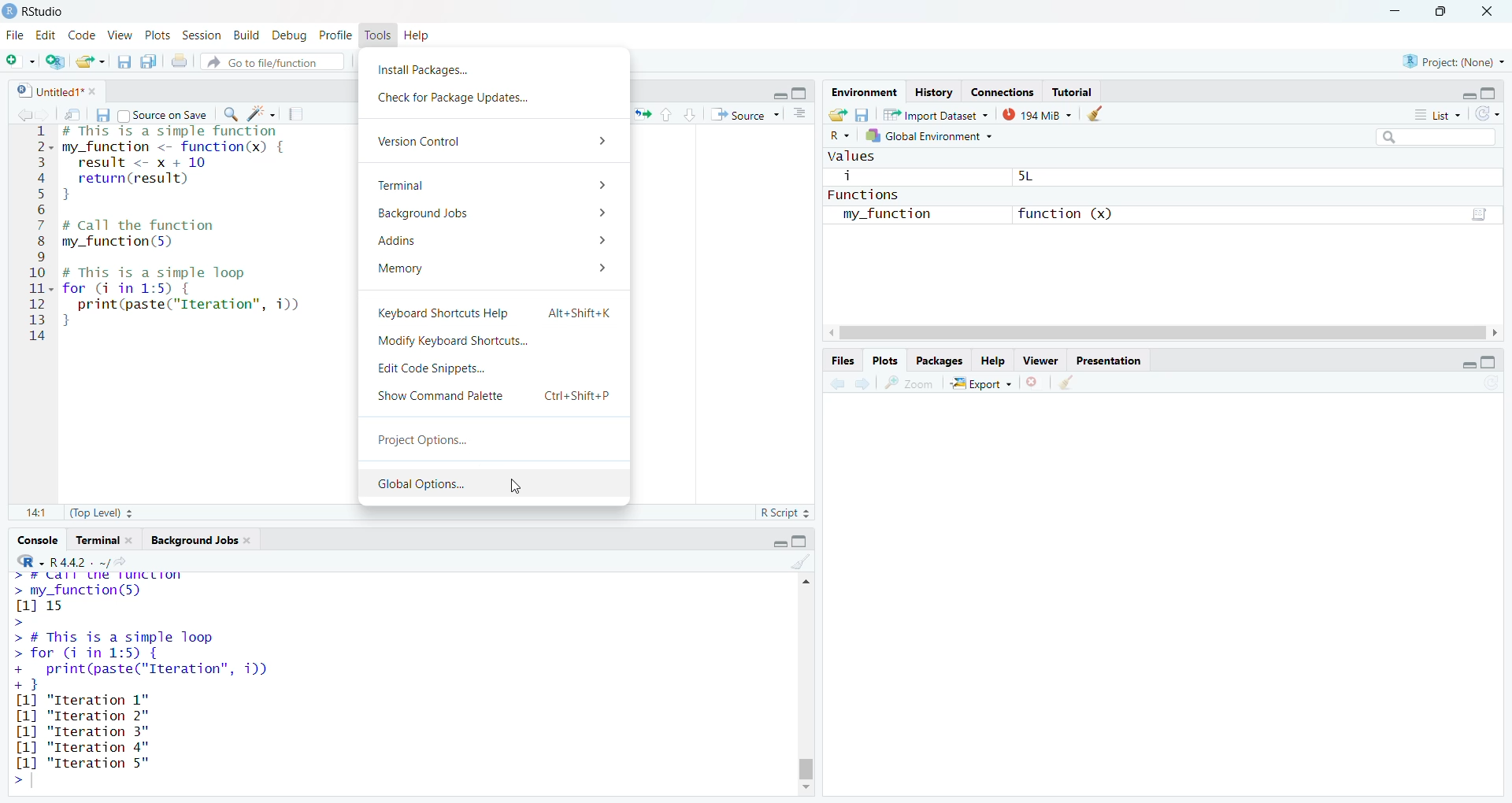  Describe the element at coordinates (495, 184) in the screenshot. I see `Terminal` at that location.